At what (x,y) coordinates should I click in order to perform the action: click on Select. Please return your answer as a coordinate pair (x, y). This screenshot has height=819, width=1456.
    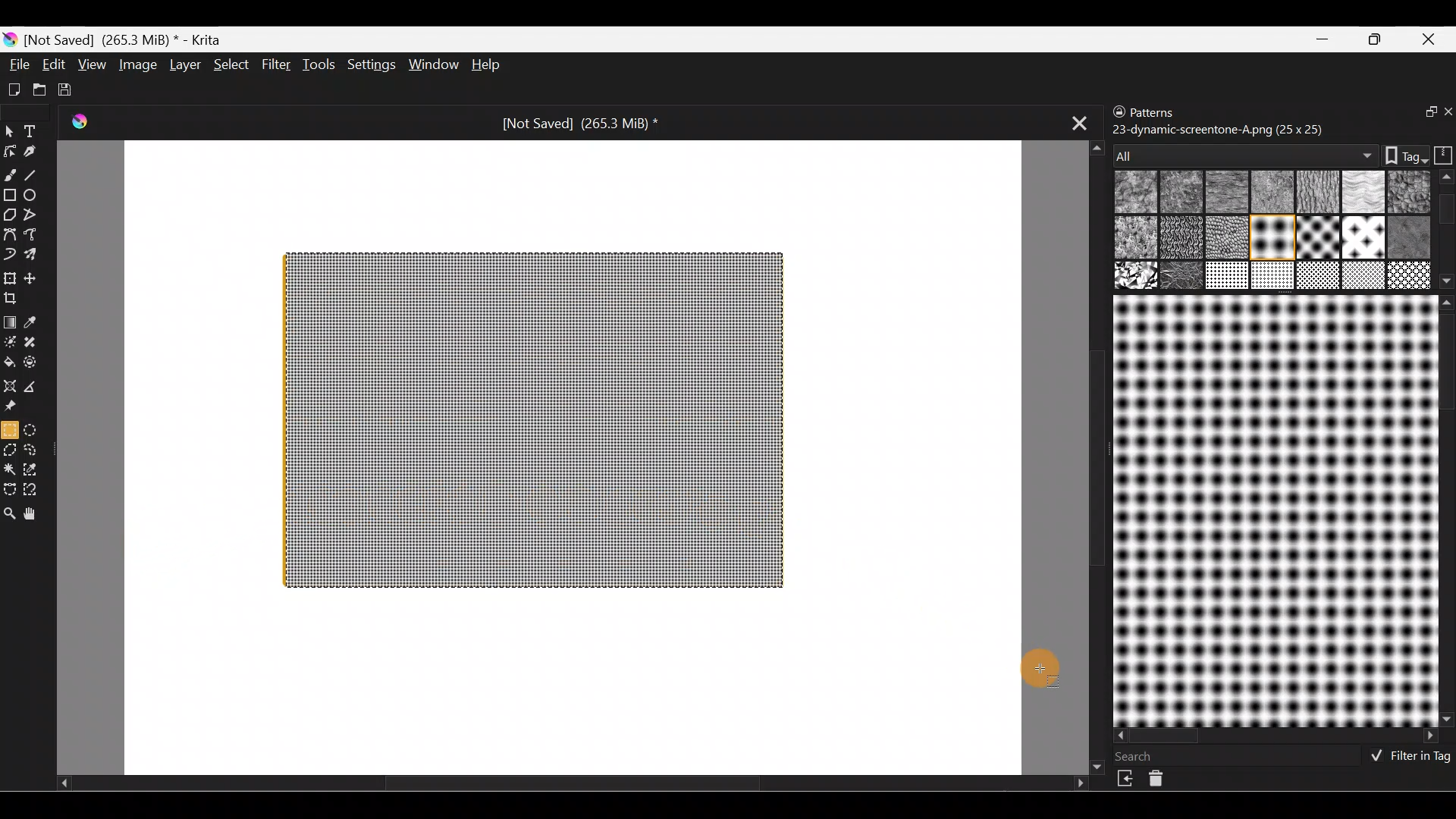
    Looking at the image, I should click on (232, 67).